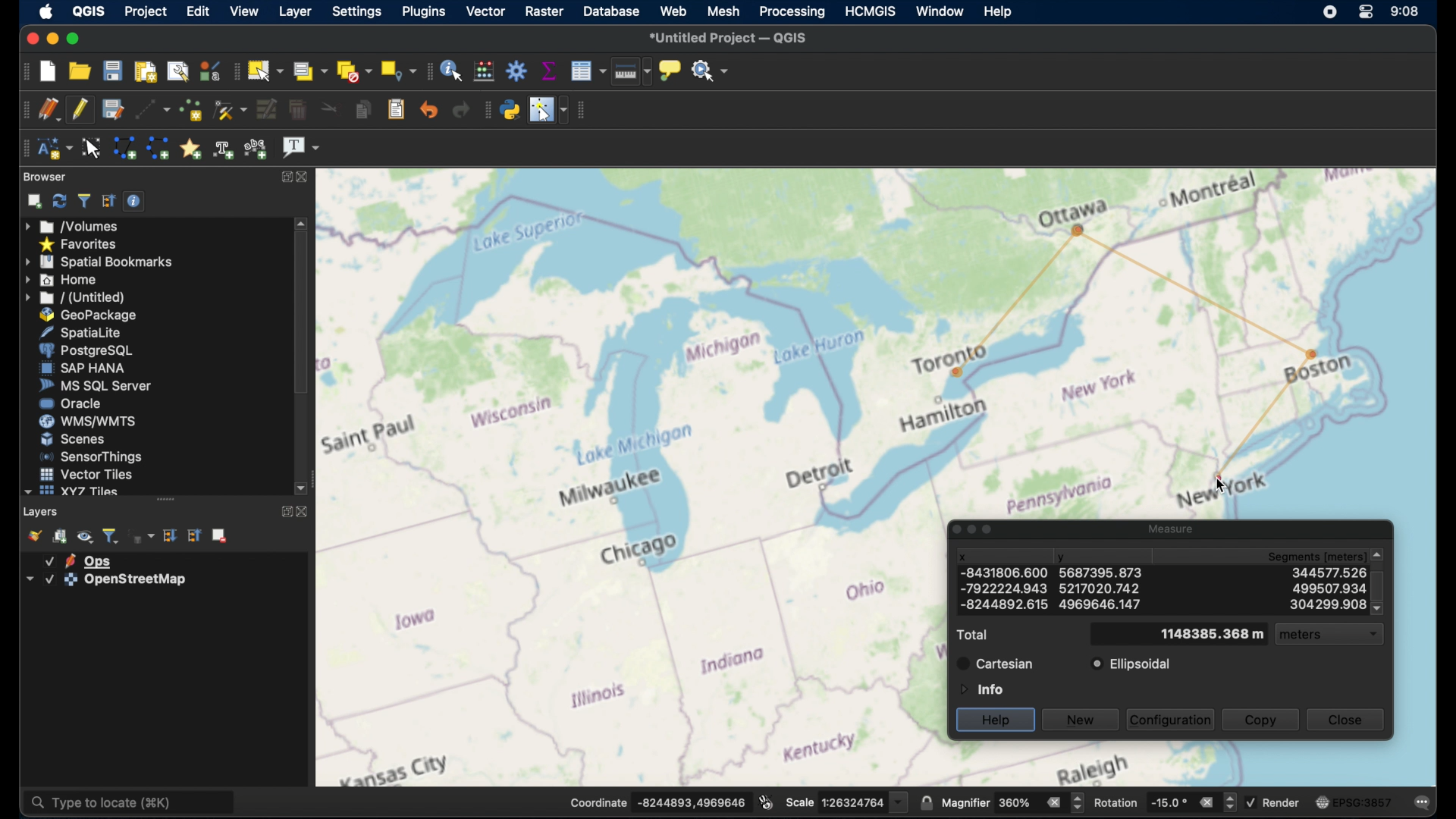  What do you see at coordinates (1405, 11) in the screenshot?
I see `time` at bounding box center [1405, 11].